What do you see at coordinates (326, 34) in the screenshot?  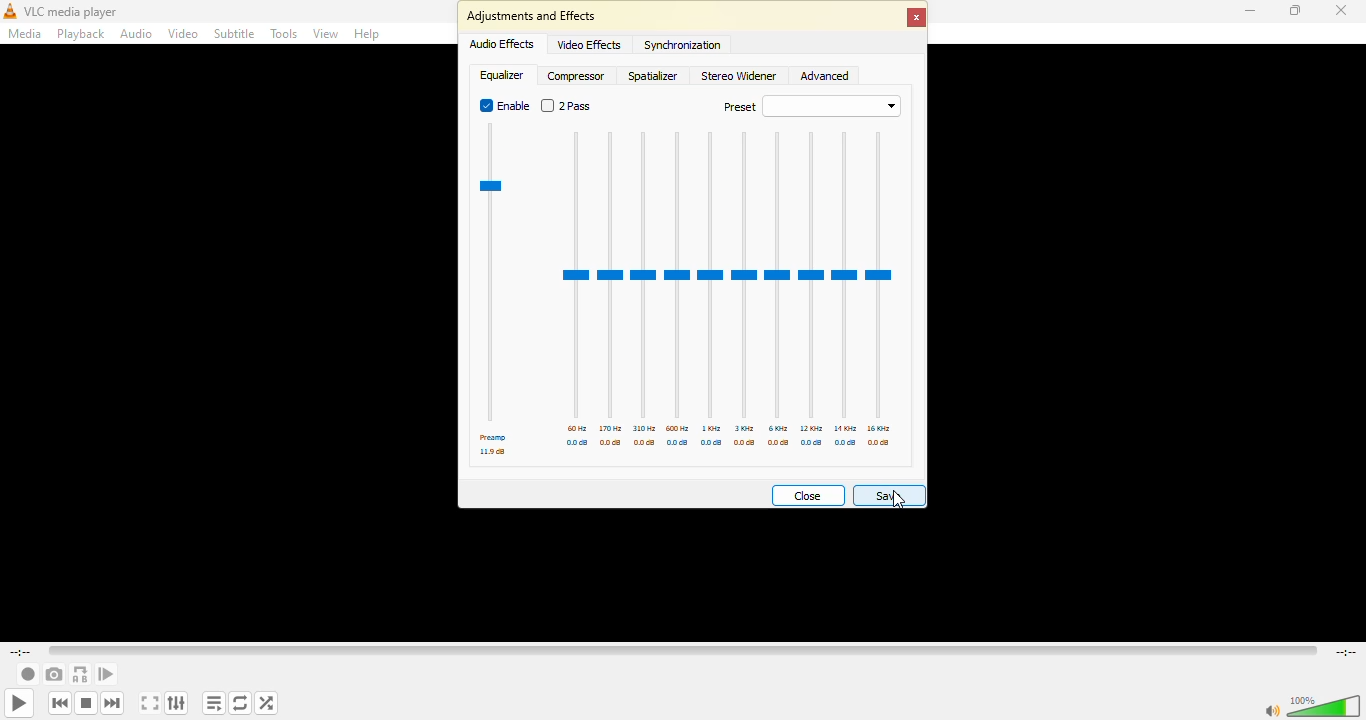 I see `view` at bounding box center [326, 34].